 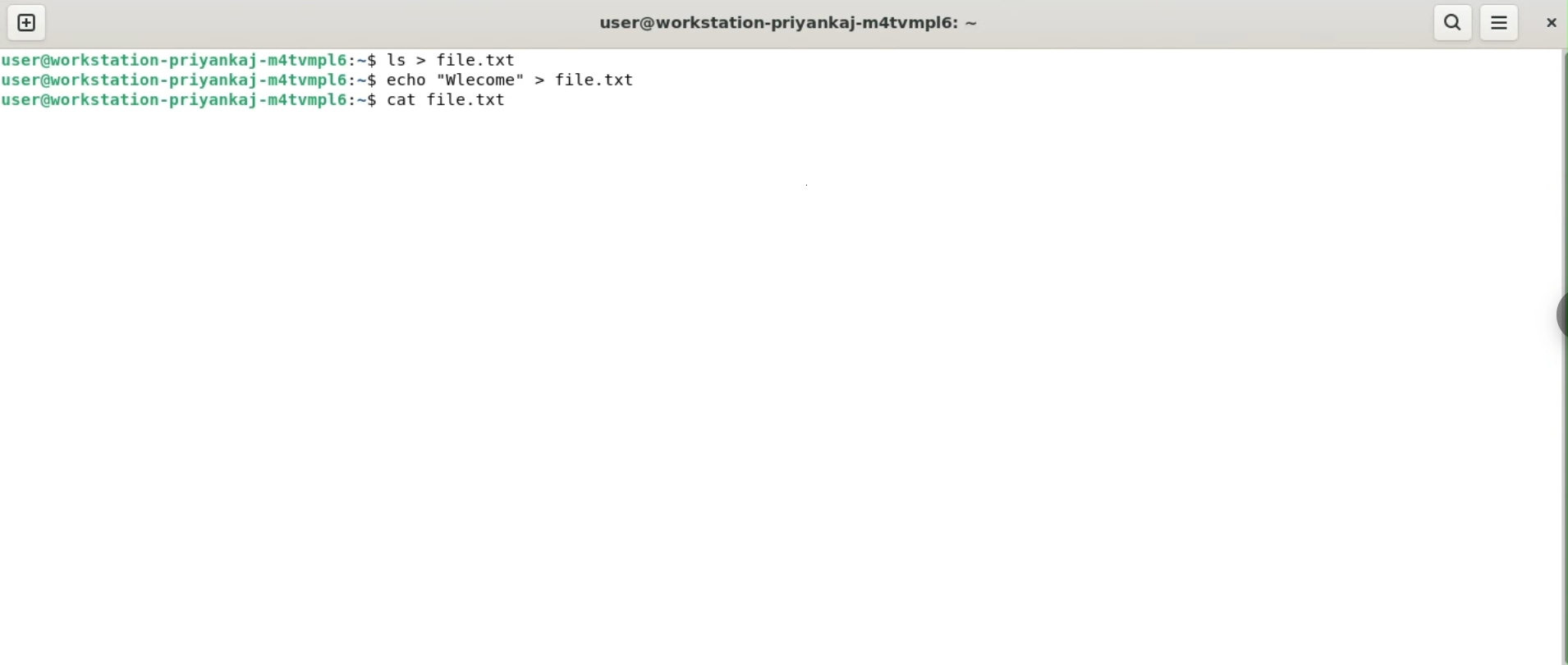 I want to click on echo "Wlecome" > file.txt, so click(x=520, y=80).